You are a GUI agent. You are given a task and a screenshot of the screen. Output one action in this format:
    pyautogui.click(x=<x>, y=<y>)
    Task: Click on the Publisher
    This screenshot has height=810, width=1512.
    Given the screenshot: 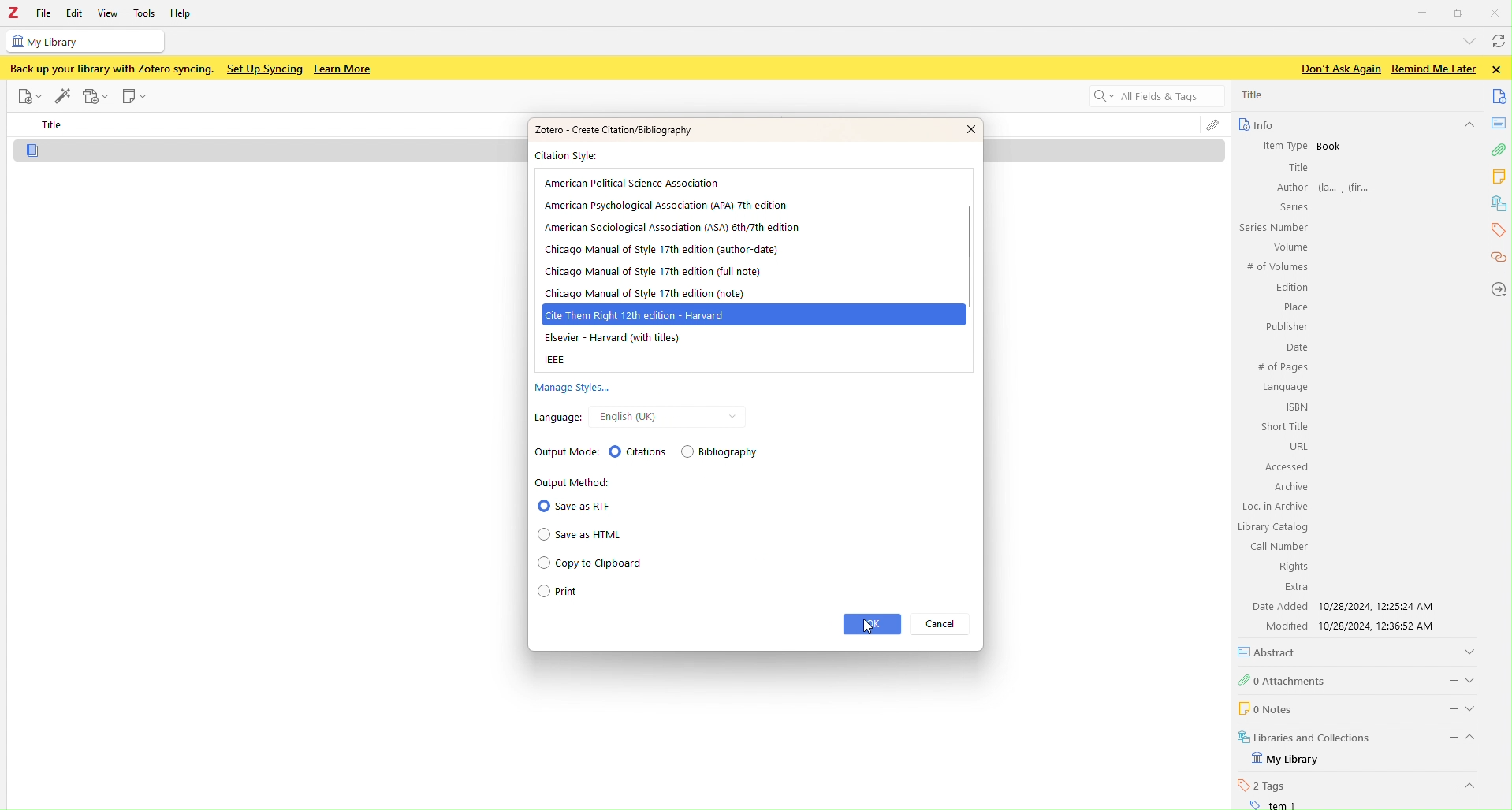 What is the action you would take?
    pyautogui.click(x=1285, y=326)
    